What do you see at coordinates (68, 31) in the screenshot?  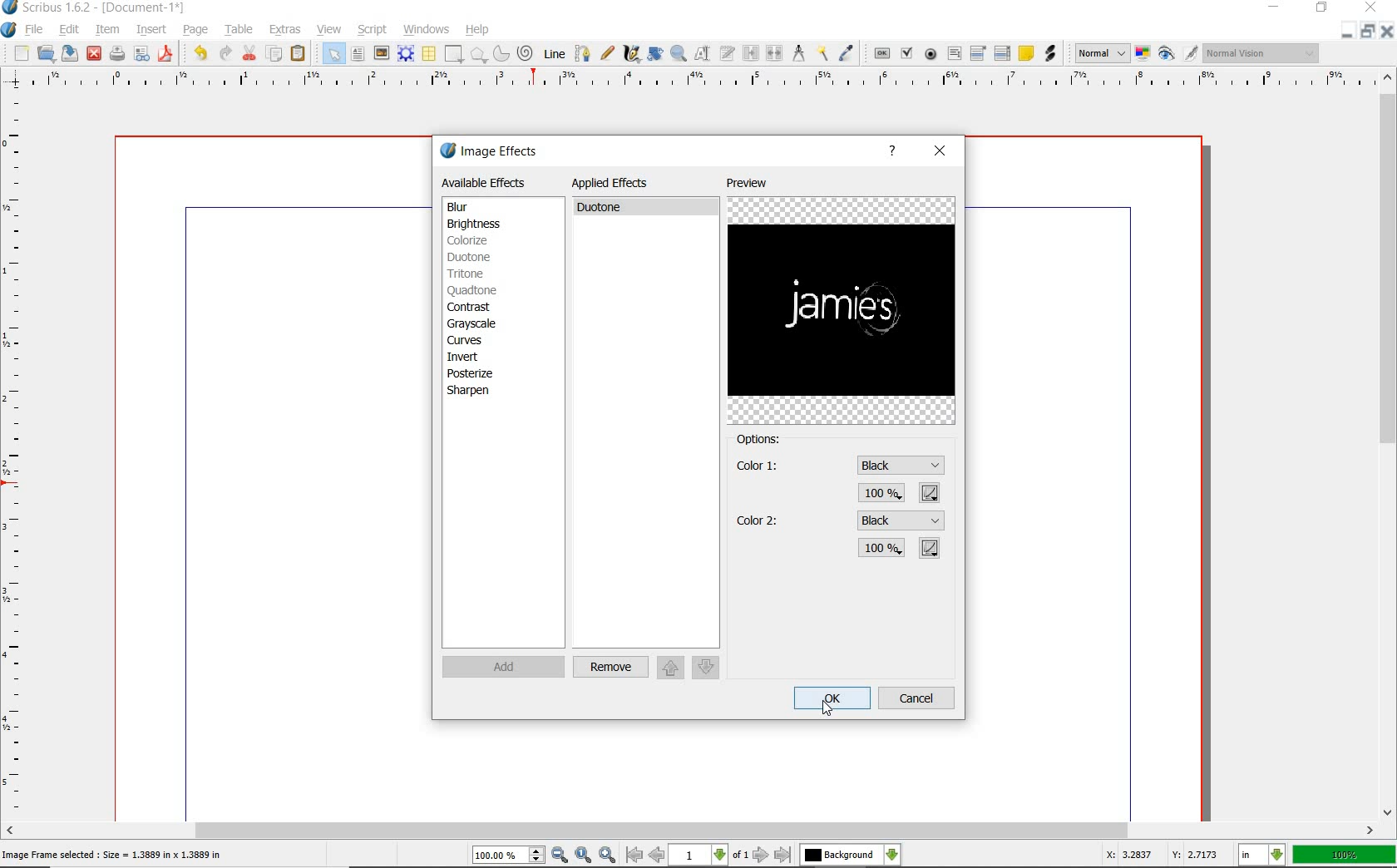 I see `edit` at bounding box center [68, 31].